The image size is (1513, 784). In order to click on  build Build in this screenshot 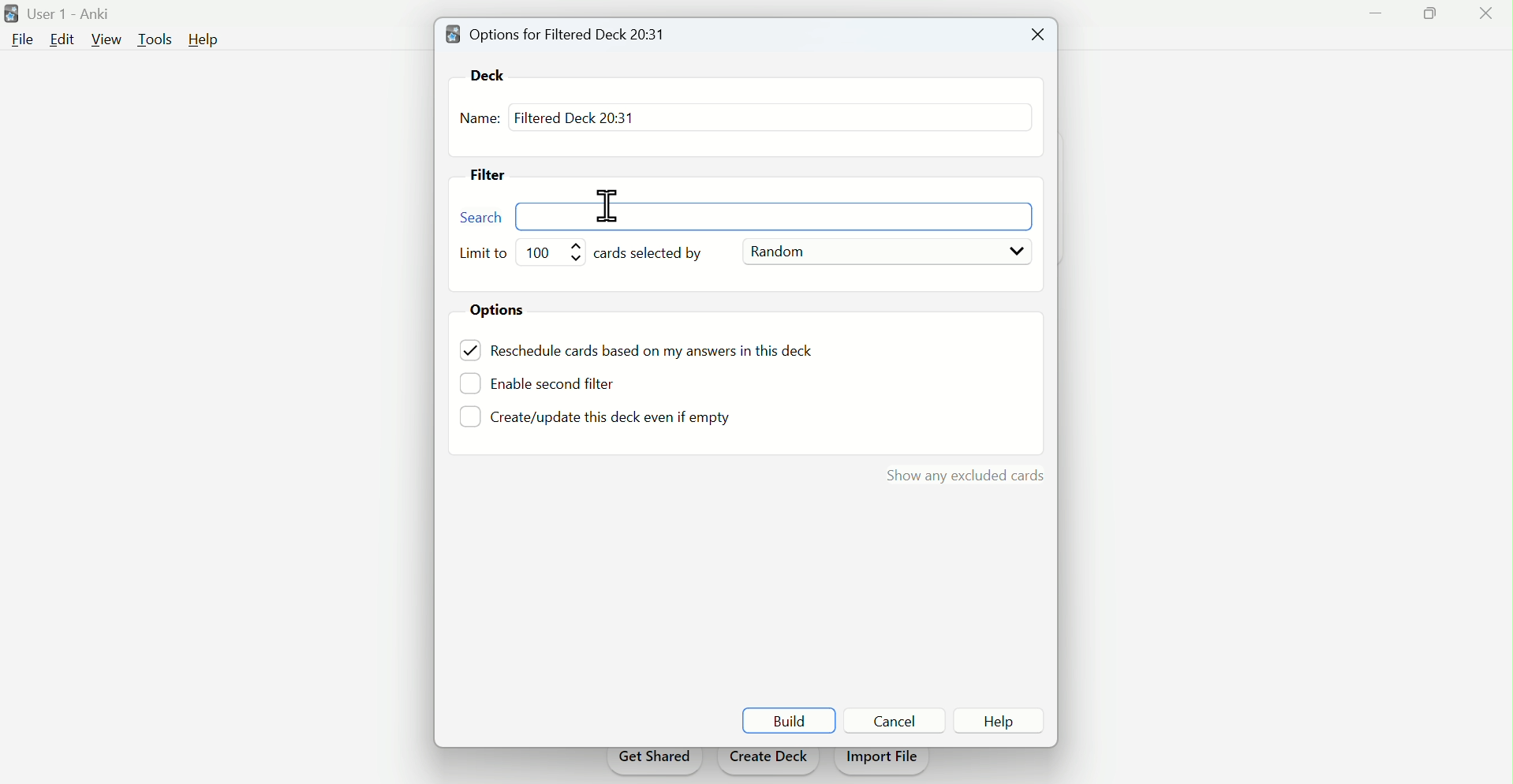, I will do `click(789, 720)`.